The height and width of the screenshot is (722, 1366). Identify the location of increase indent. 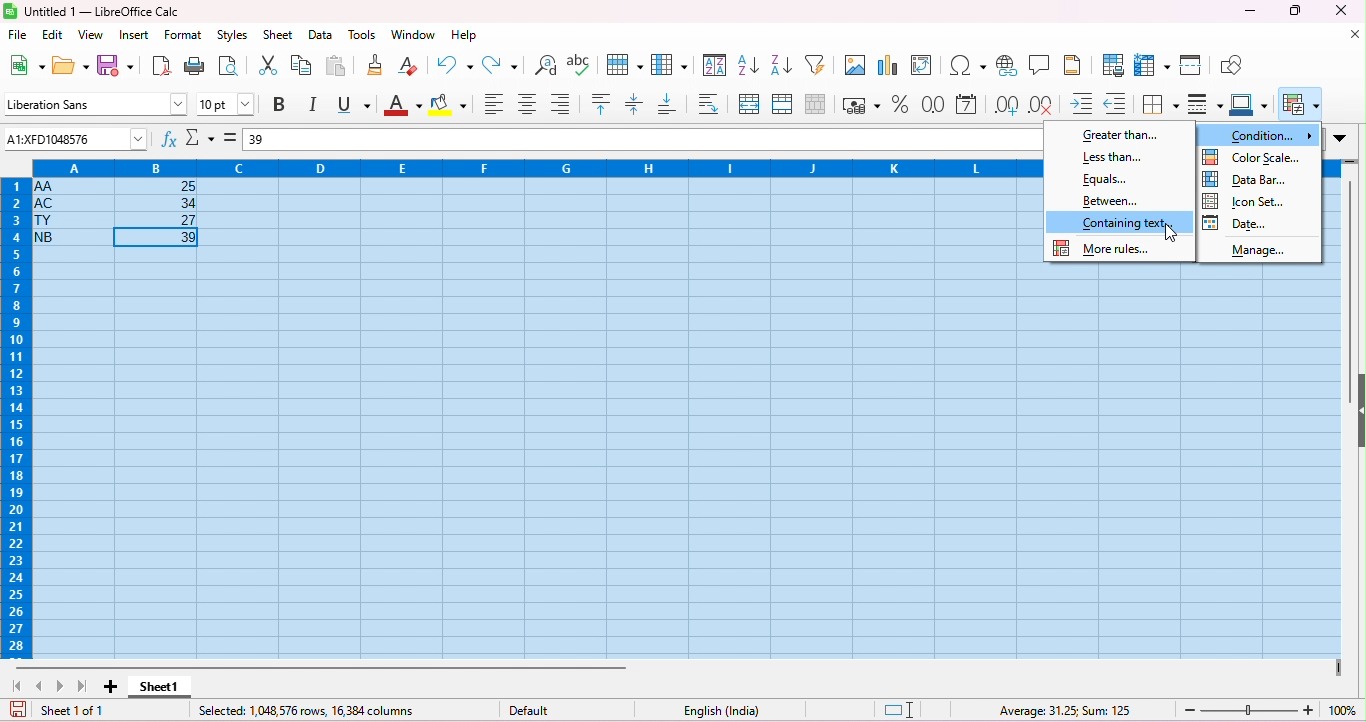
(1083, 103).